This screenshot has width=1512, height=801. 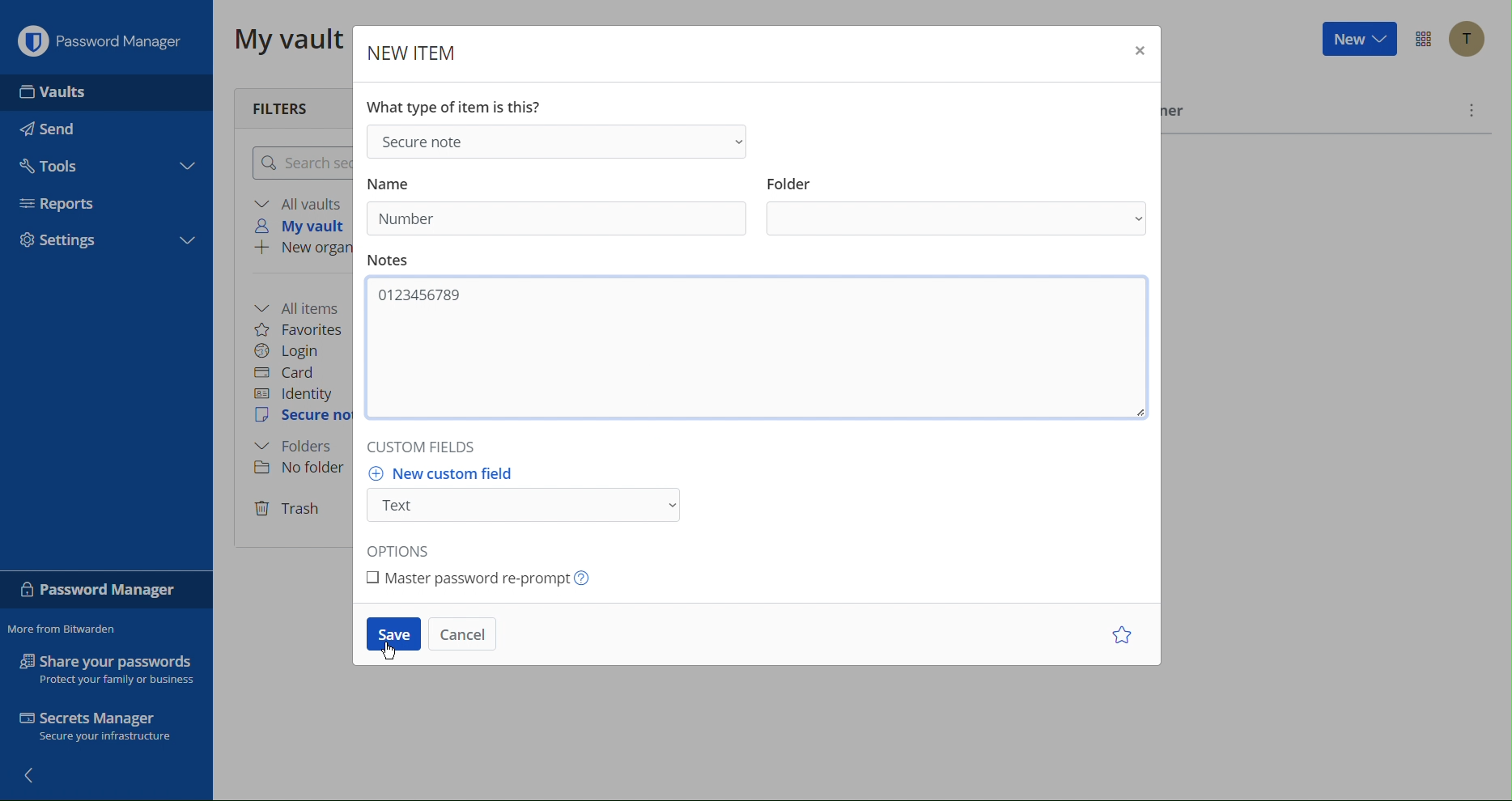 What do you see at coordinates (1472, 109) in the screenshot?
I see `More` at bounding box center [1472, 109].